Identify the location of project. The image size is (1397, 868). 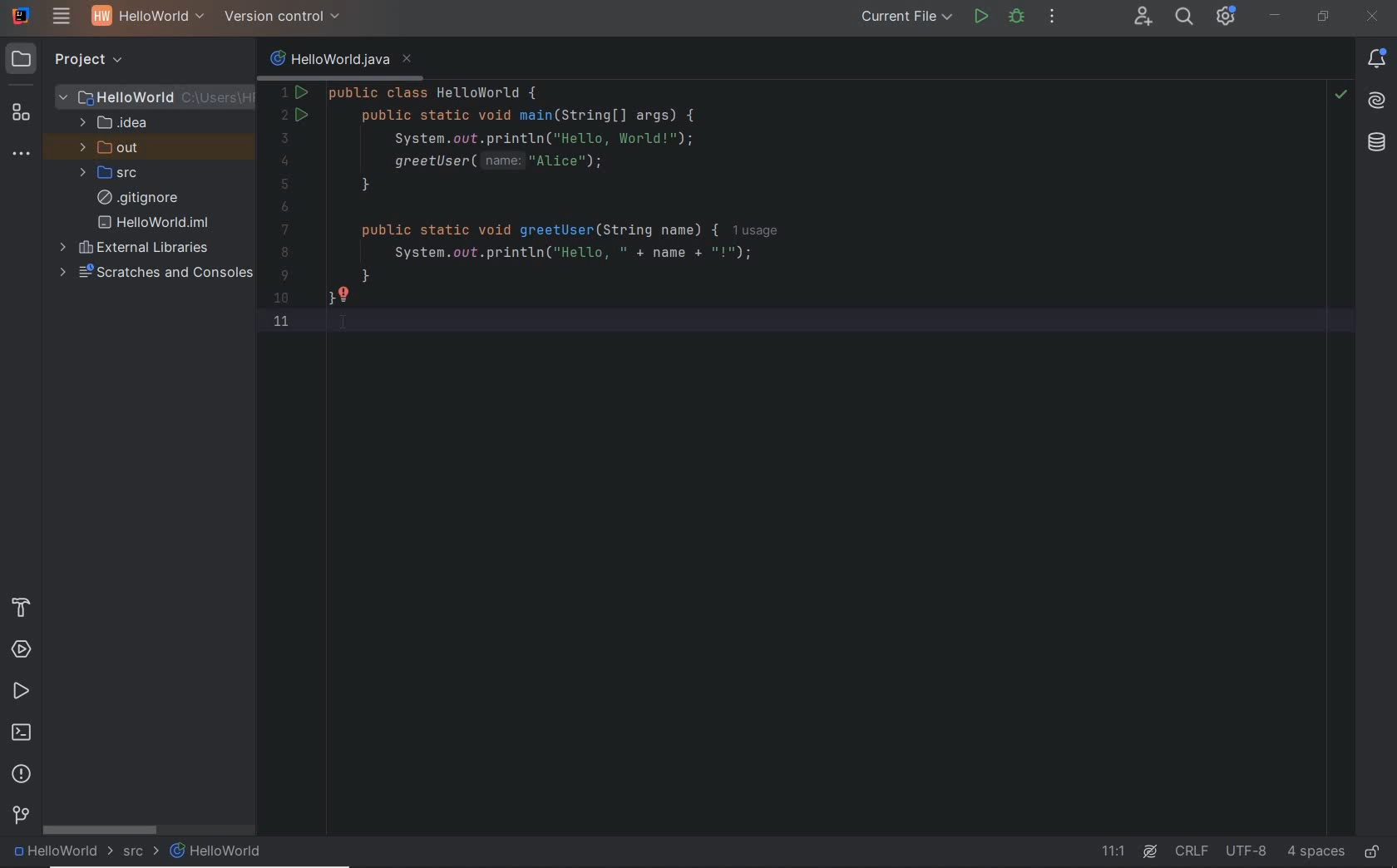
(79, 61).